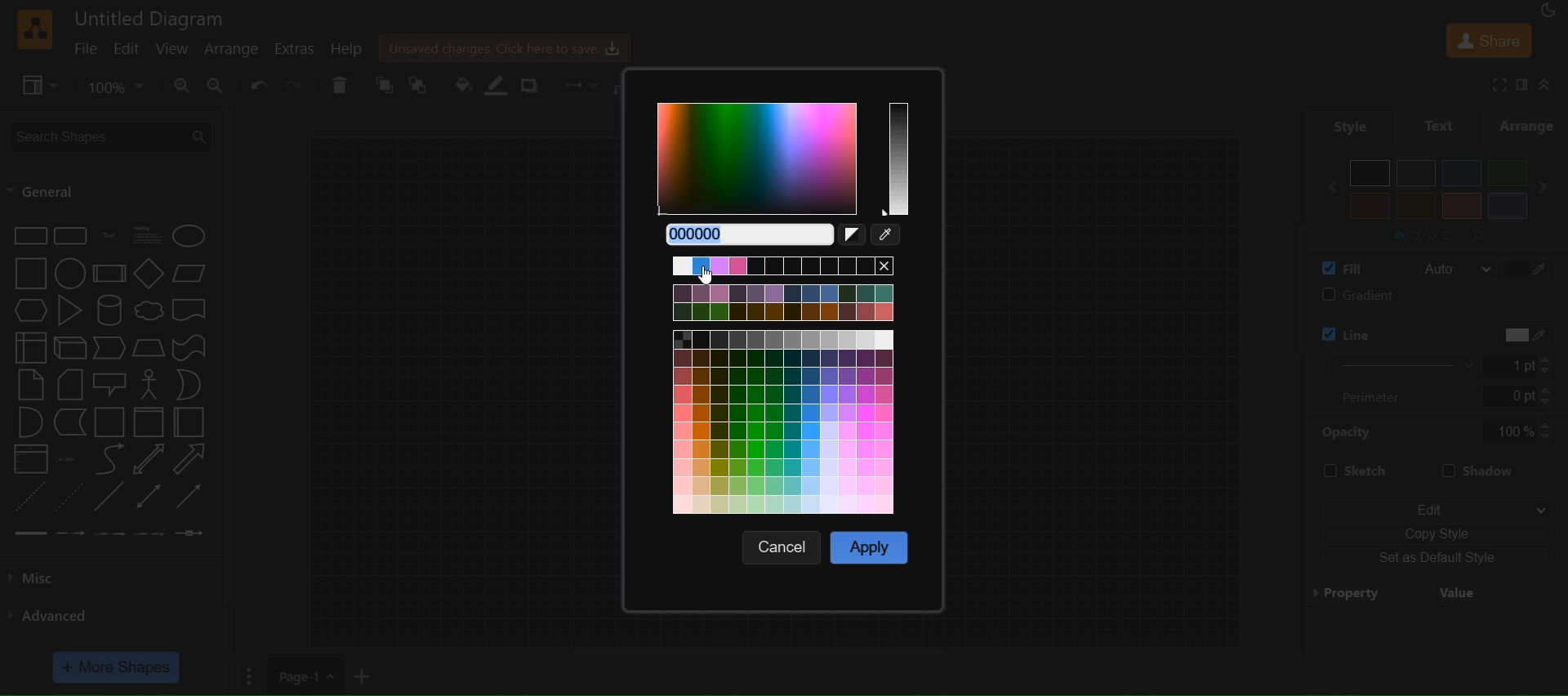  I want to click on color, so click(889, 237).